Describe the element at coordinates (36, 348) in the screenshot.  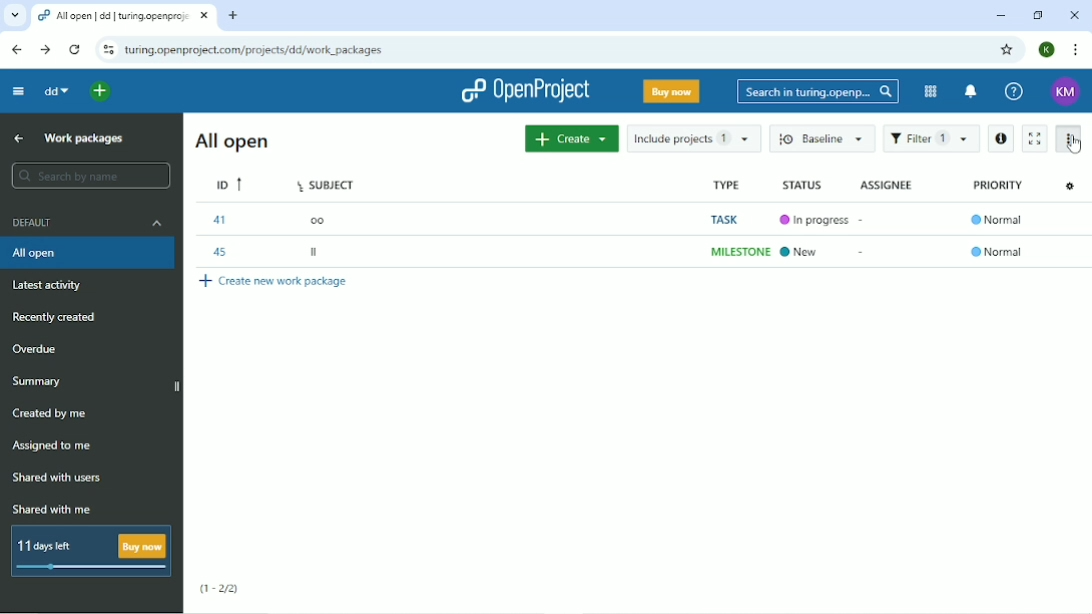
I see `Overdue` at that location.